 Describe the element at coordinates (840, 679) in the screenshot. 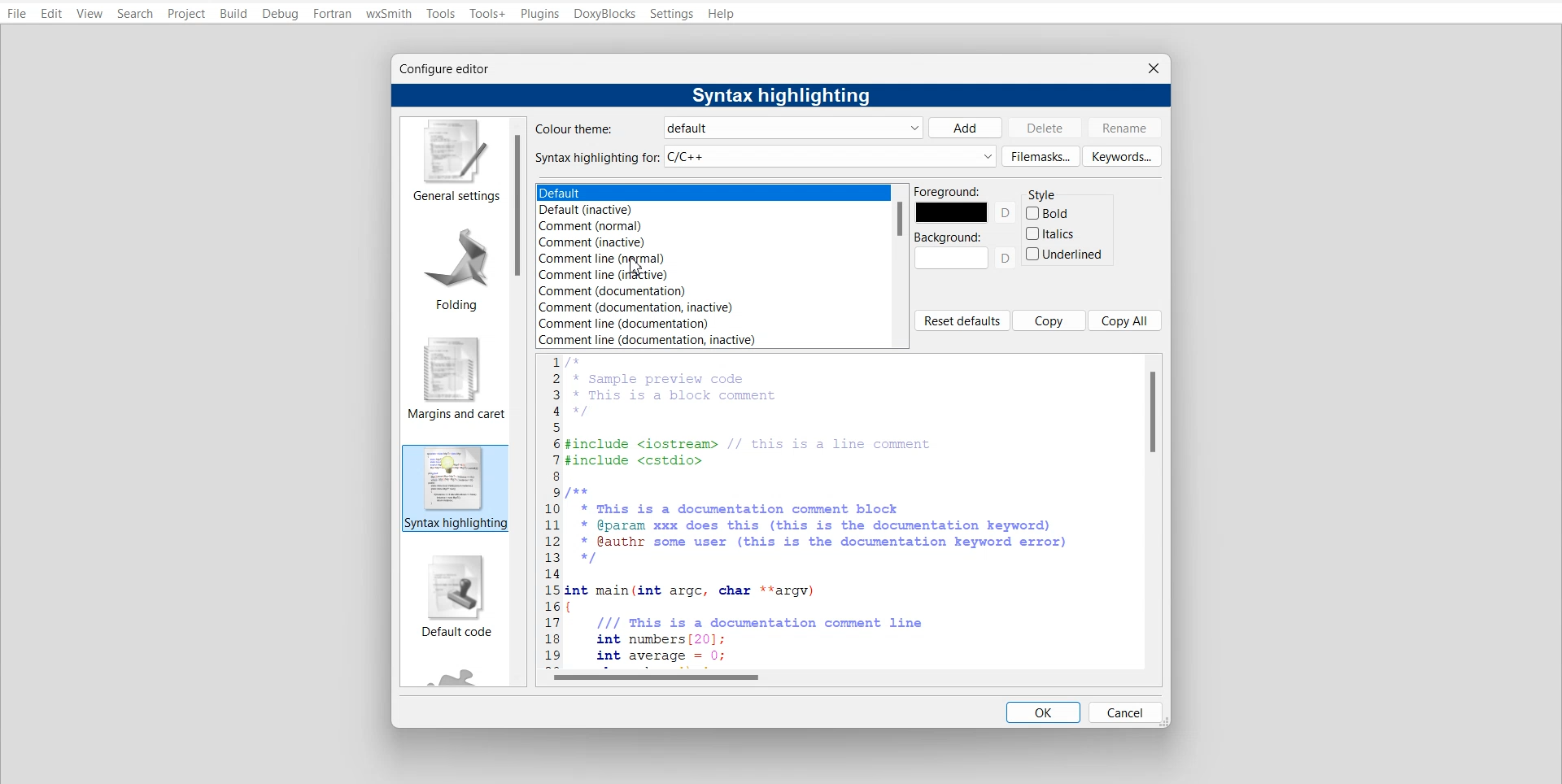

I see `Horizontal scroll bar` at that location.